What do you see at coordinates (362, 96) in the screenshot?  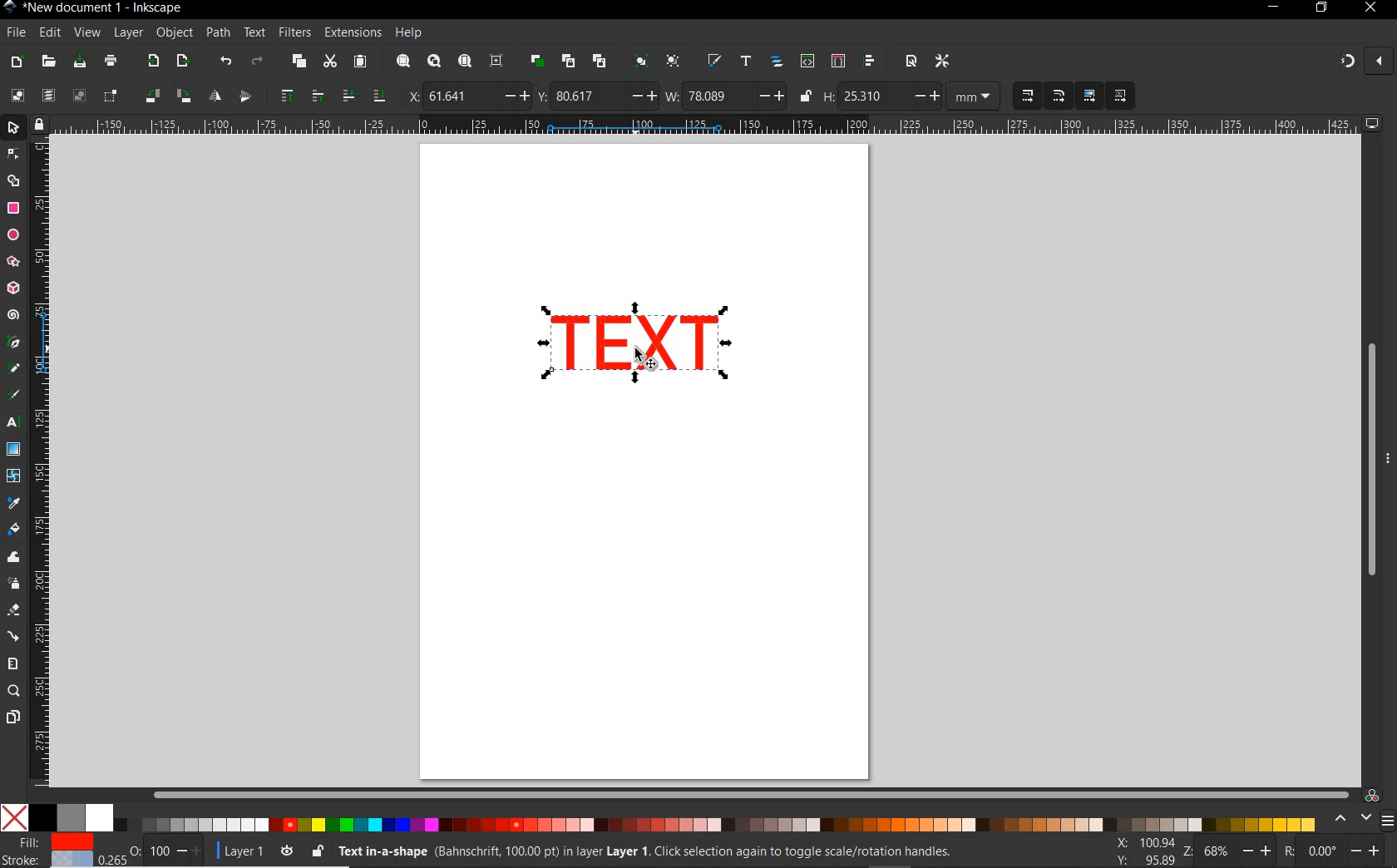 I see `lower selection` at bounding box center [362, 96].